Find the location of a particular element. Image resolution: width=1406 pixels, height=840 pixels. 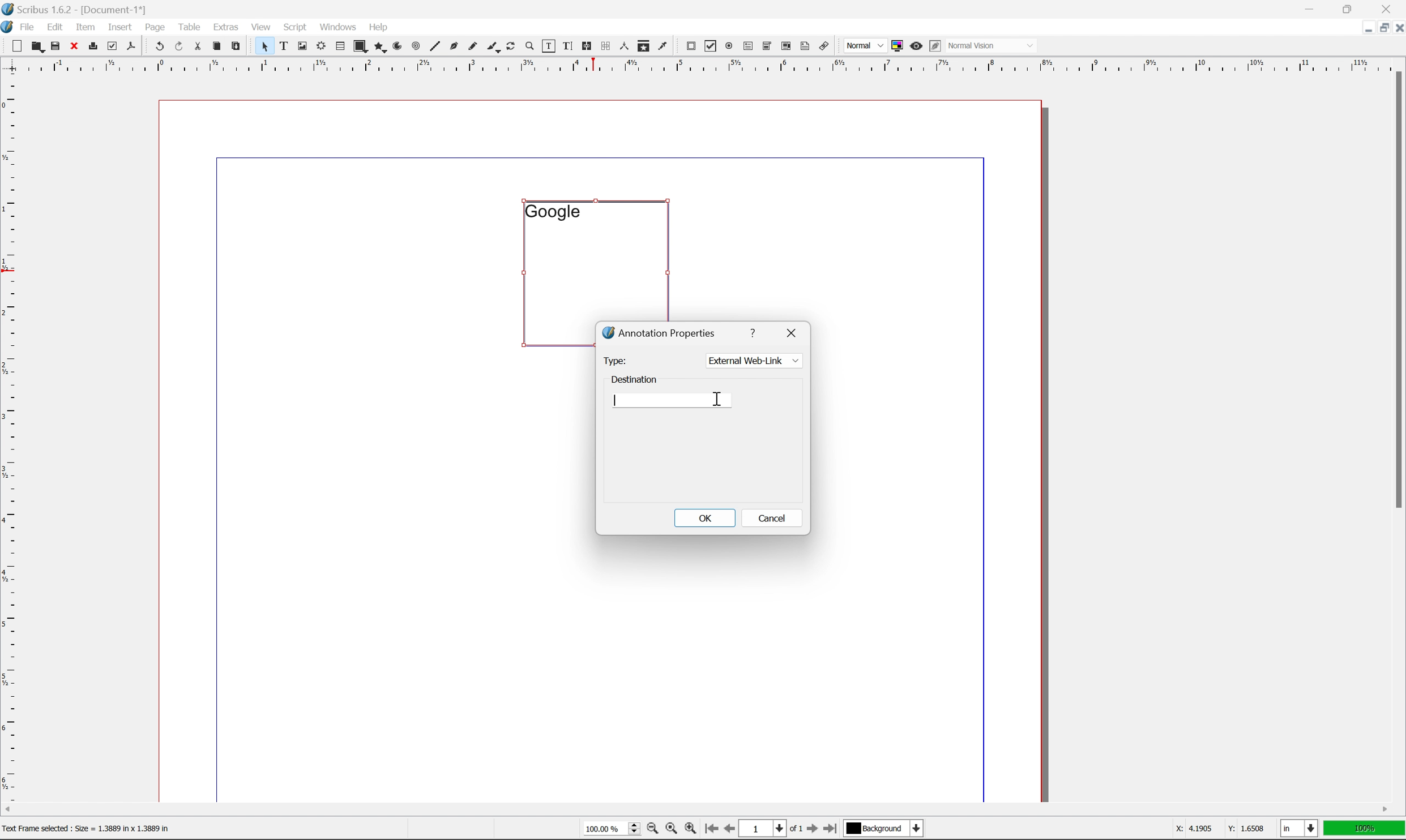

image frame is located at coordinates (302, 47).